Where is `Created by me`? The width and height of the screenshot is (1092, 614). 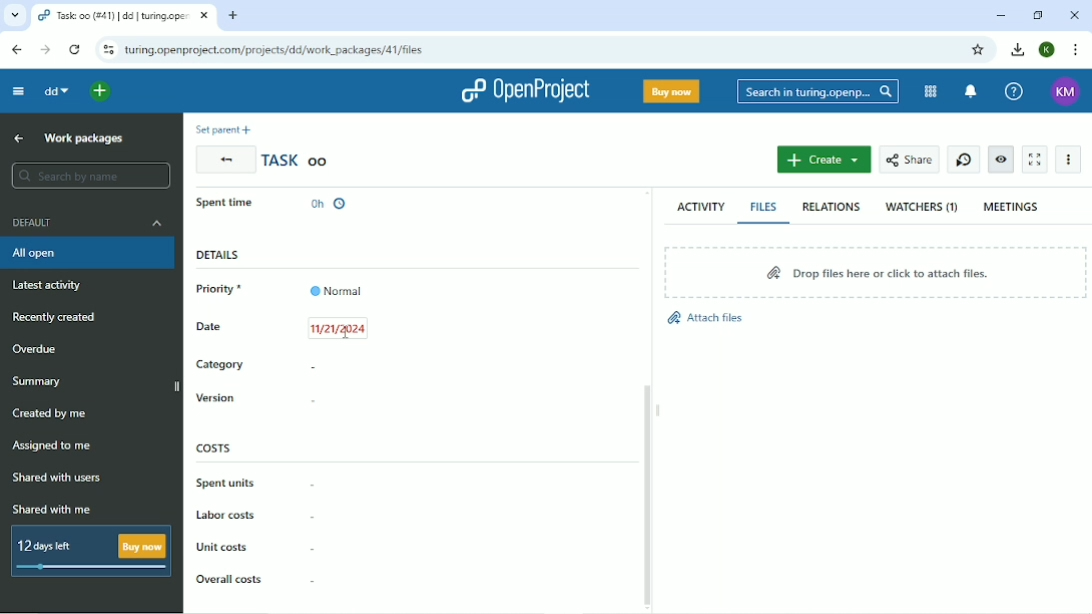 Created by me is located at coordinates (53, 413).